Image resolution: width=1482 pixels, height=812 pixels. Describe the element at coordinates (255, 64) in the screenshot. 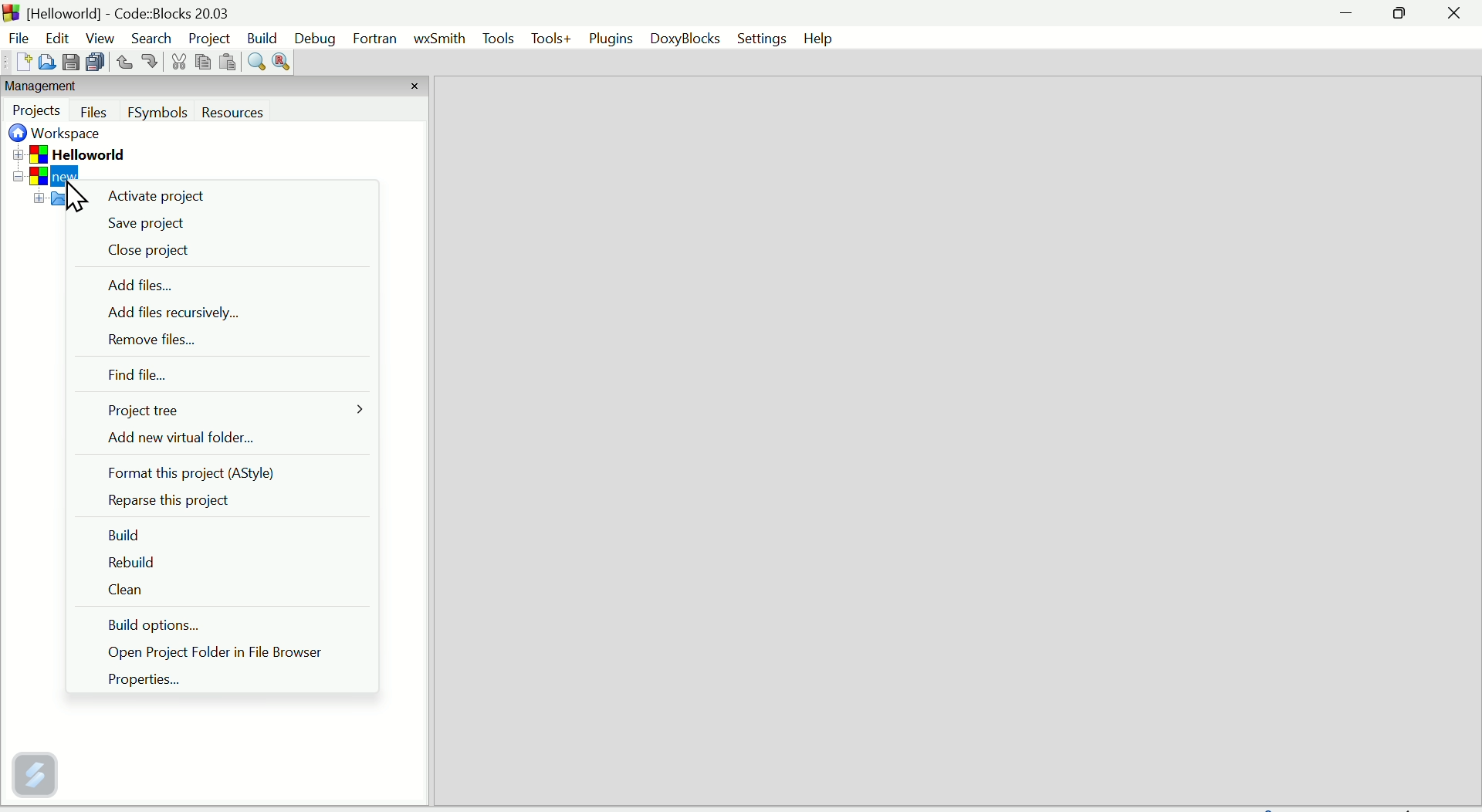

I see `Find` at that location.